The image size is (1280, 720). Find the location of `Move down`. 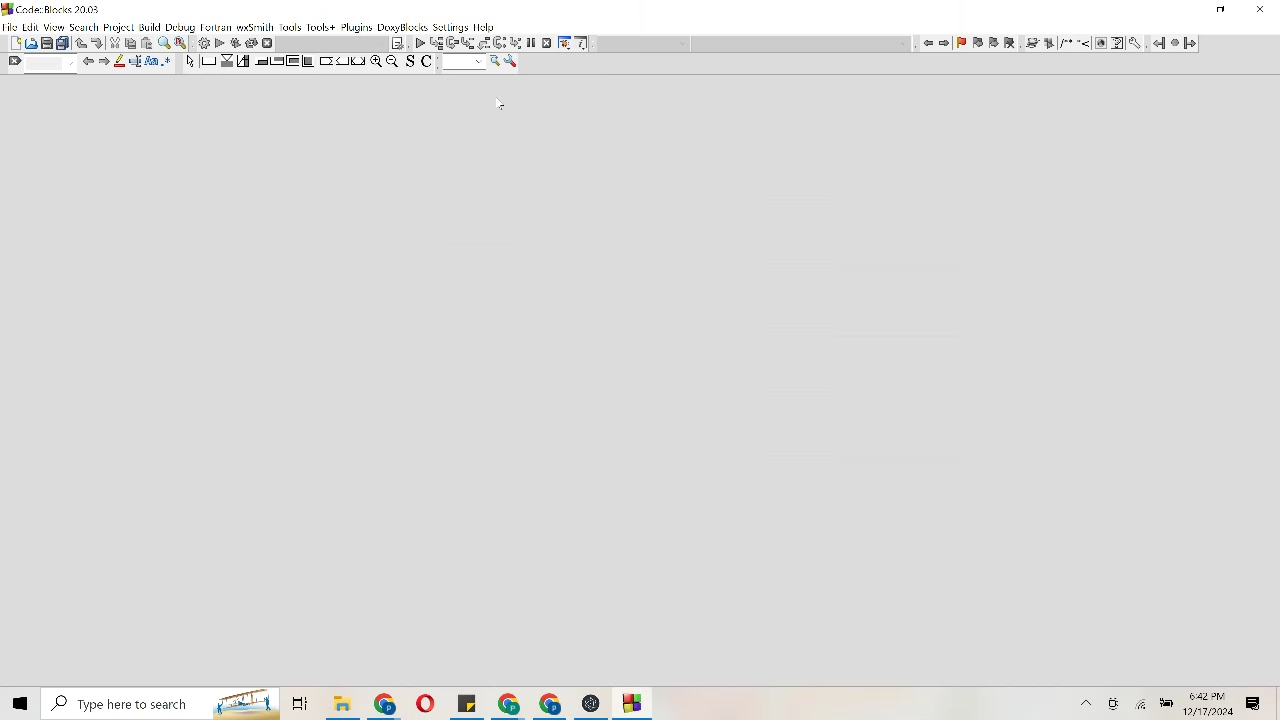

Move down is located at coordinates (98, 43).